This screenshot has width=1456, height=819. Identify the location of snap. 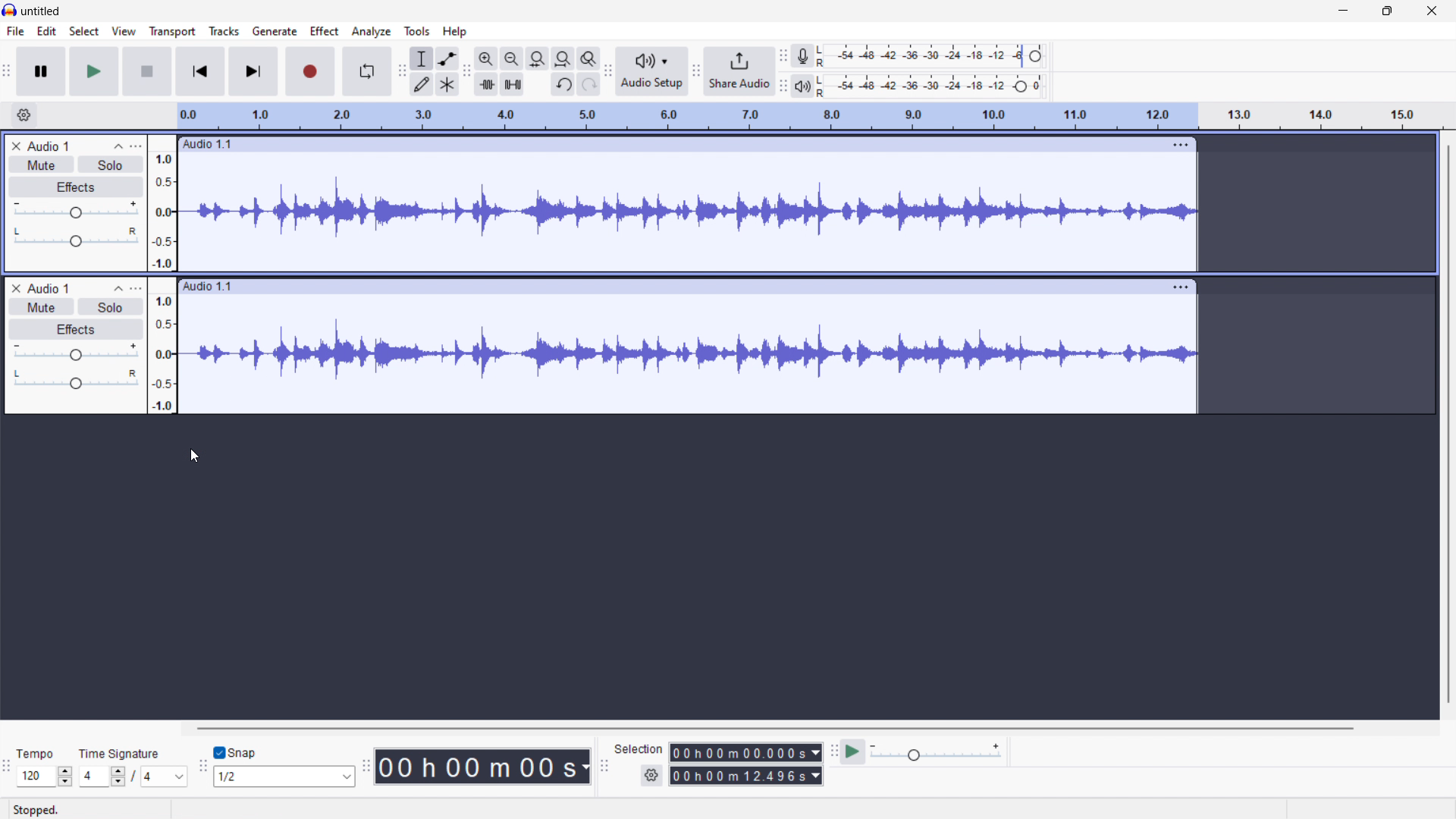
(247, 754).